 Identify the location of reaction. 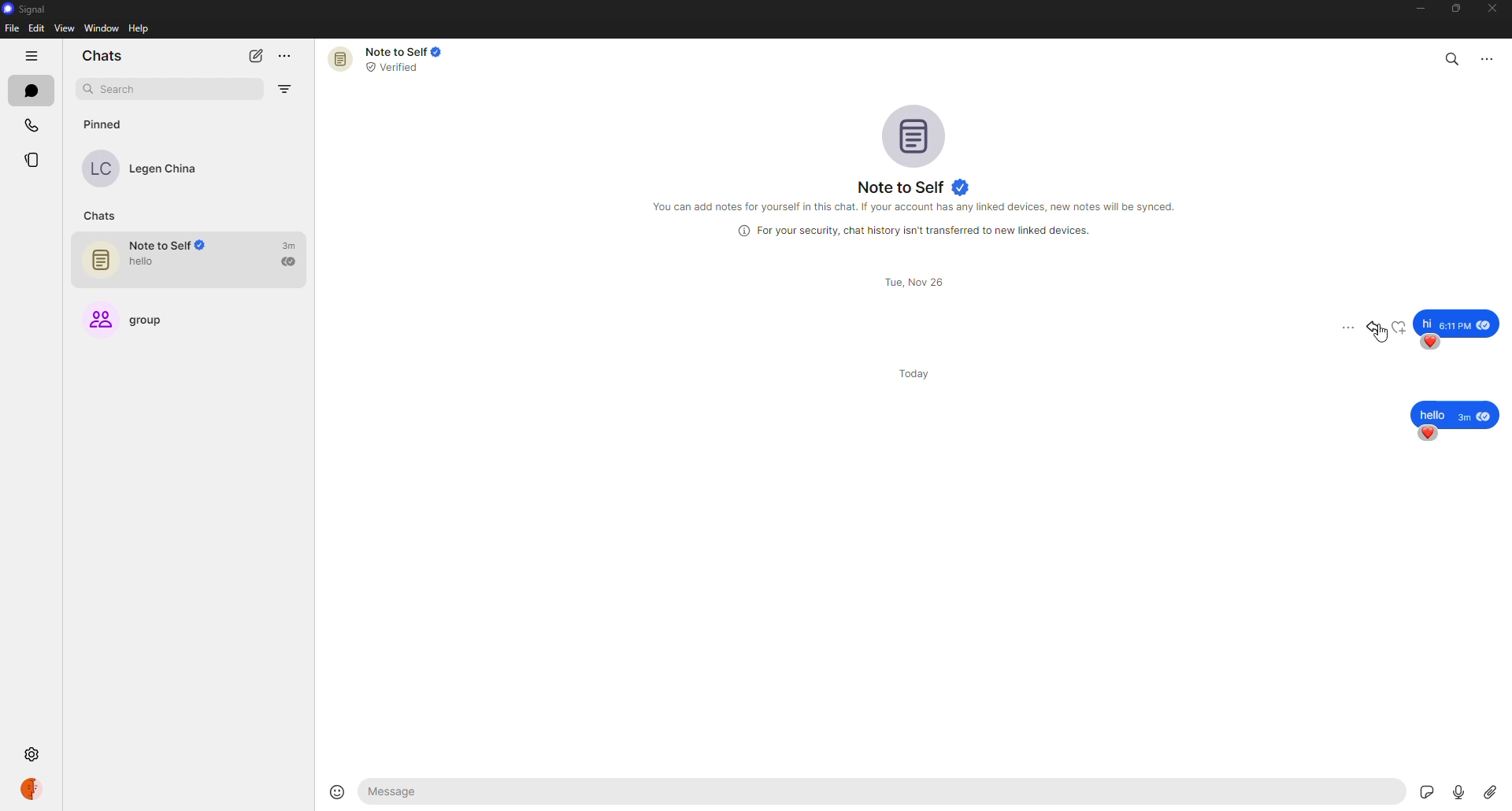
(1426, 434).